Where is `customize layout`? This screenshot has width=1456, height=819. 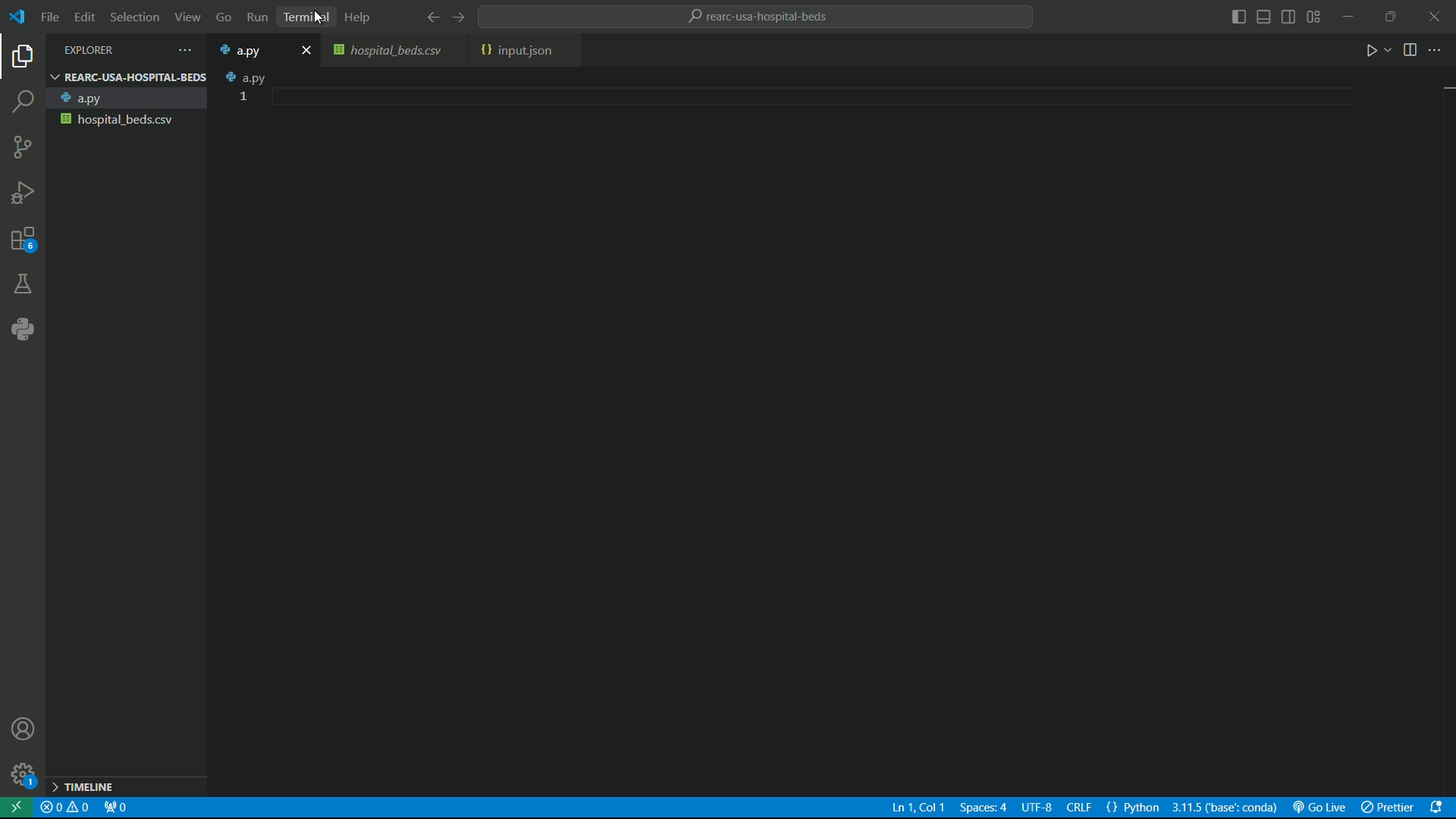 customize layout is located at coordinates (1316, 17).